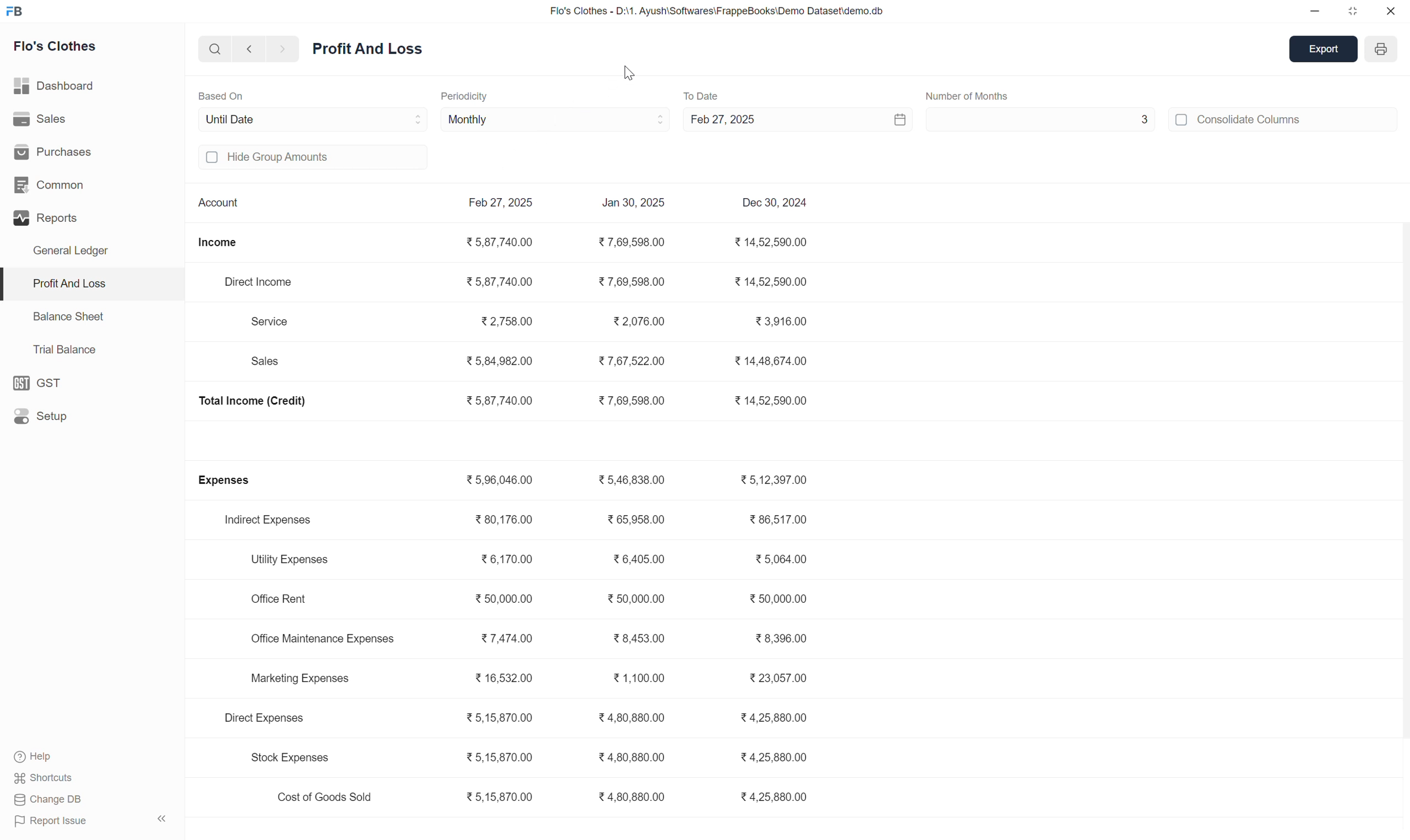  I want to click on FB, so click(14, 11).